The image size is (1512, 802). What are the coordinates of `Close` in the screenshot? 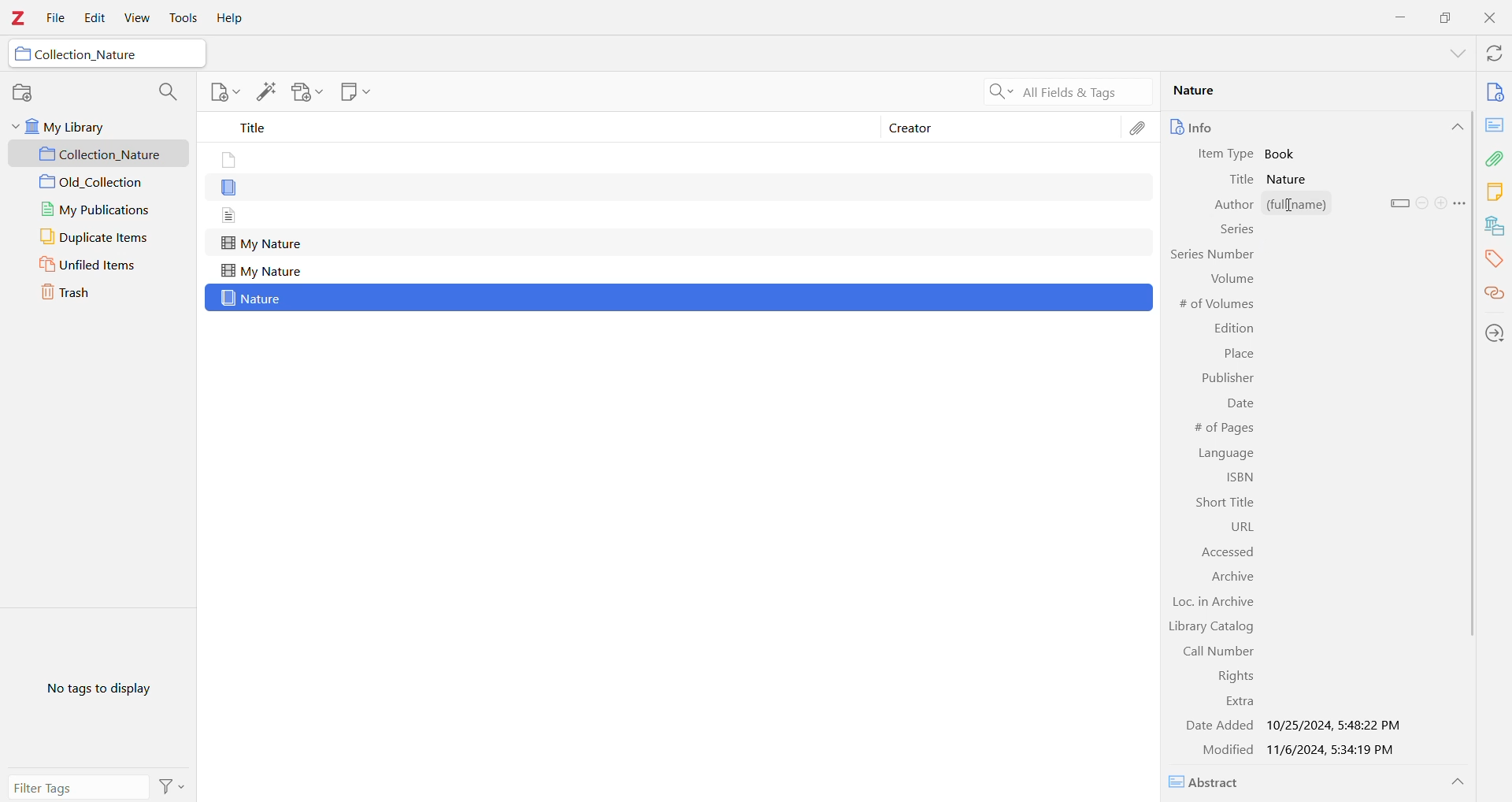 It's located at (1493, 20).